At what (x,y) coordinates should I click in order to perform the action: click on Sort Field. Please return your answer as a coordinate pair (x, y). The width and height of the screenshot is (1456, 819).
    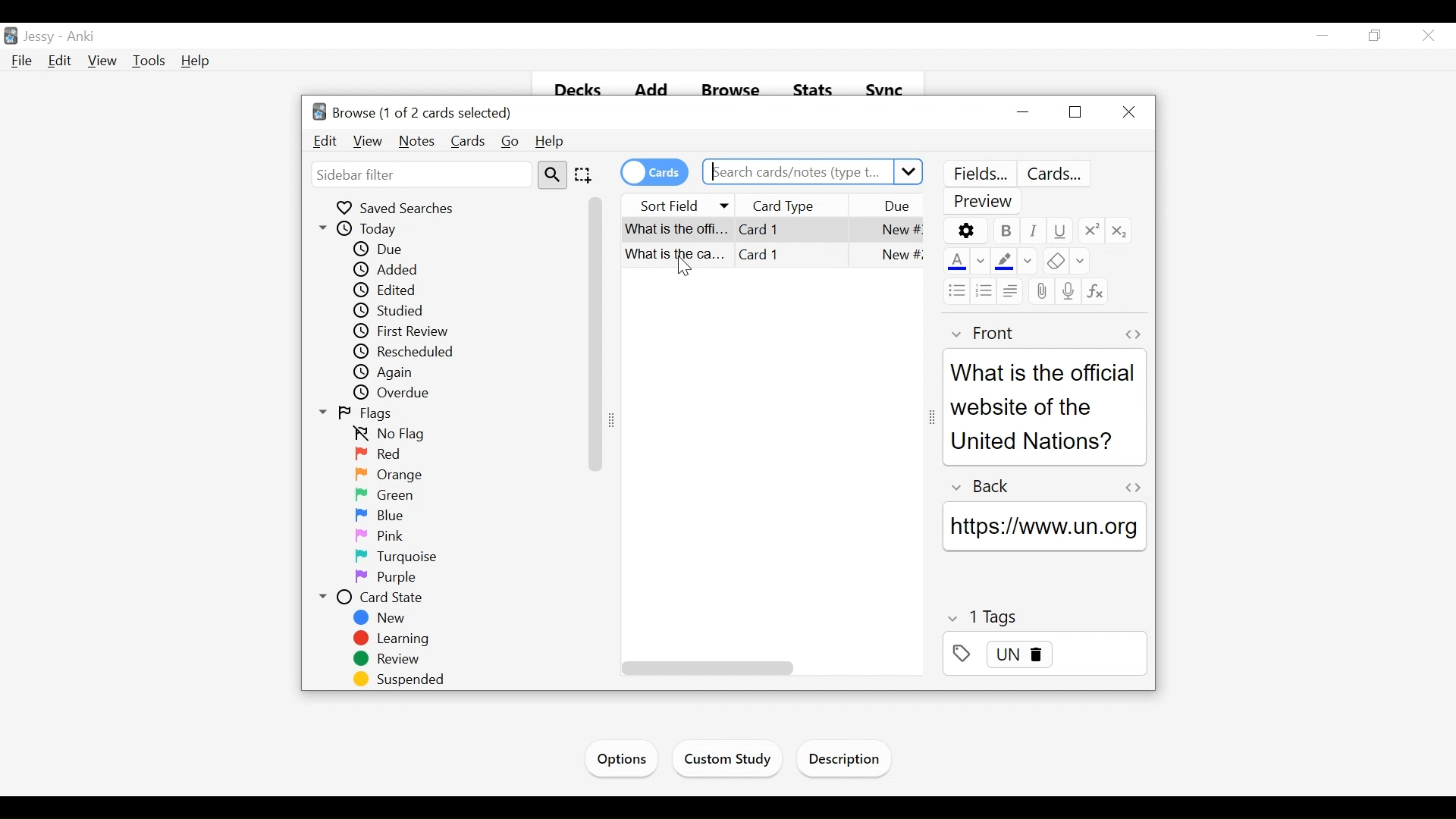
    Looking at the image, I should click on (679, 204).